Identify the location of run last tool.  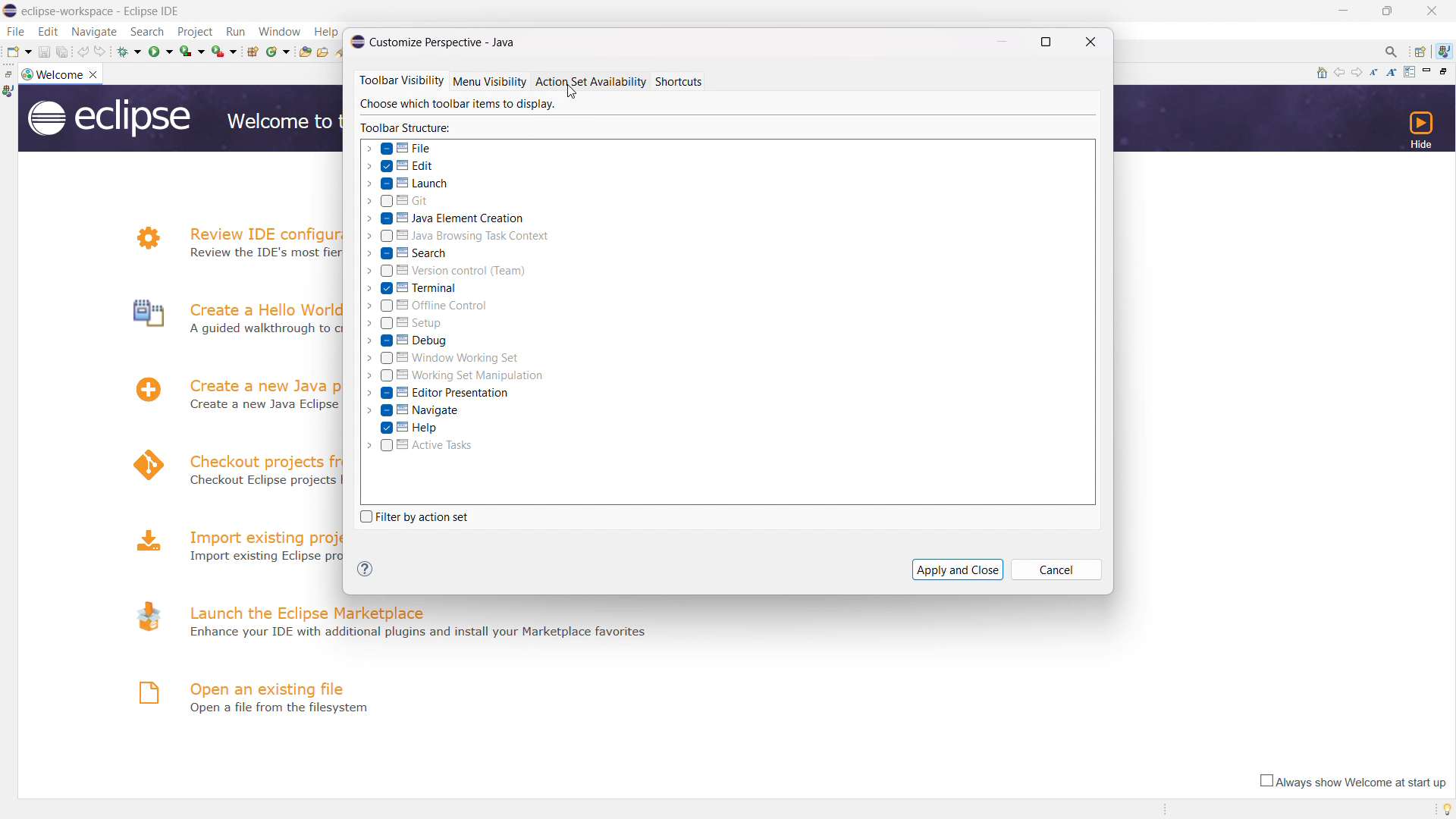
(224, 51).